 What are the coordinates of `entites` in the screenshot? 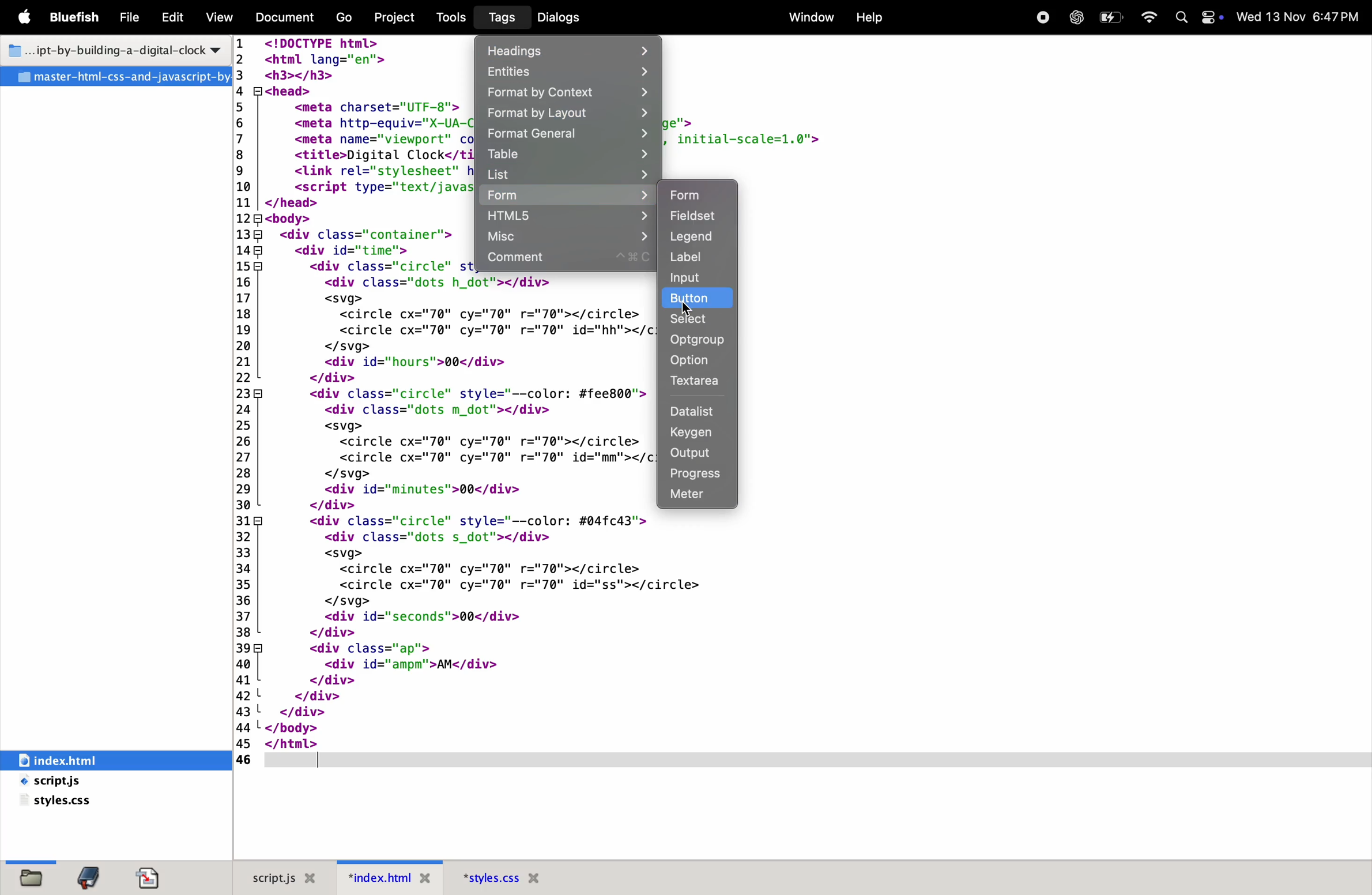 It's located at (568, 72).